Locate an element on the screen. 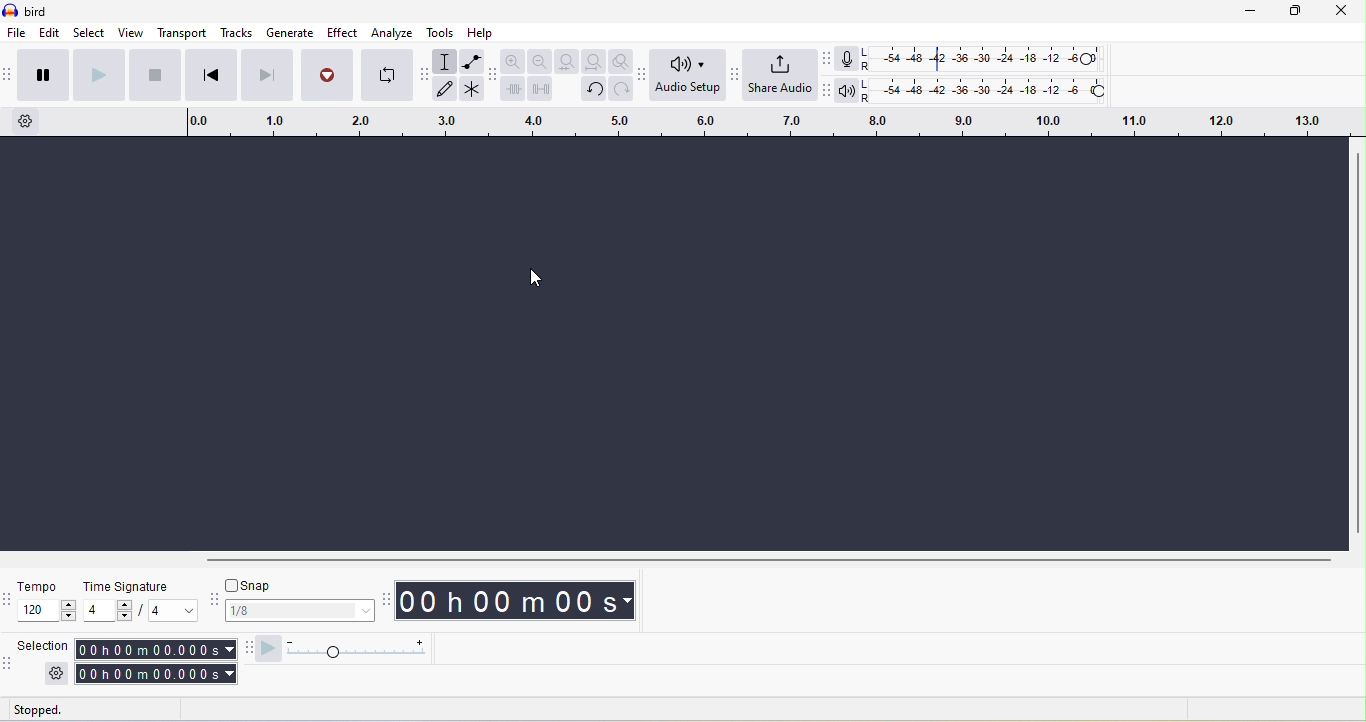  zoom out is located at coordinates (540, 61).